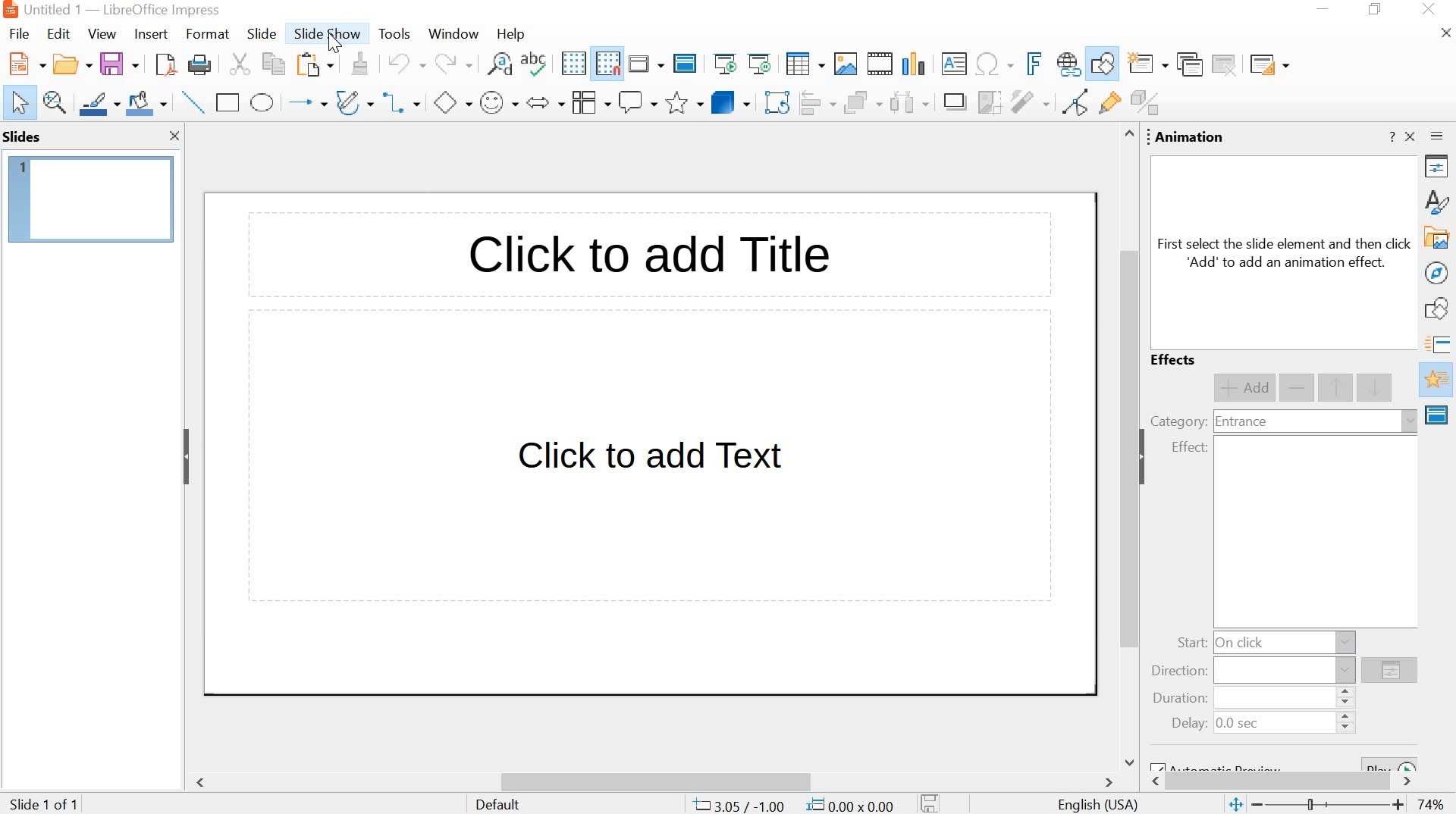  What do you see at coordinates (684, 104) in the screenshot?
I see `stars and banners` at bounding box center [684, 104].